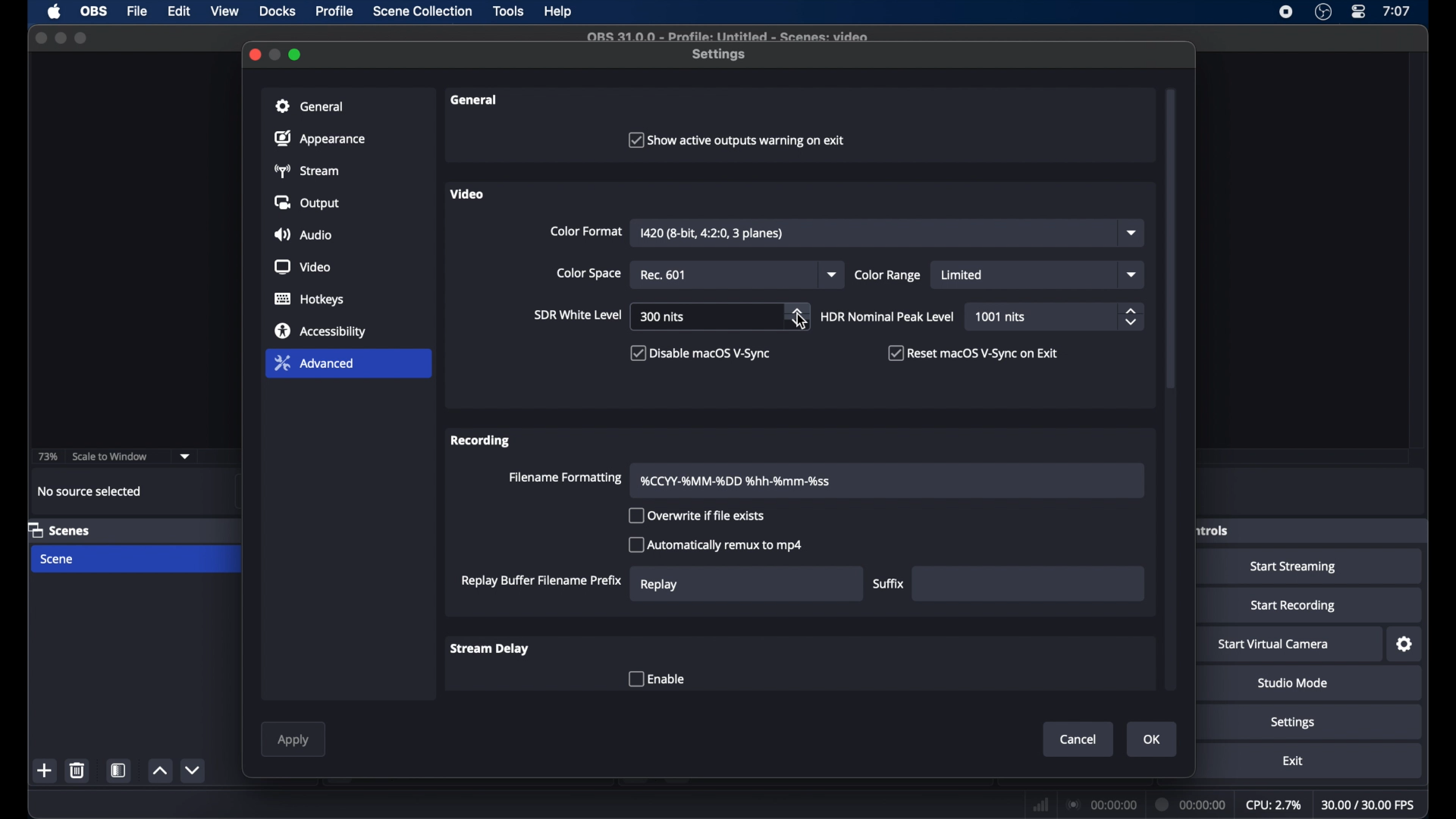 The image size is (1456, 819). What do you see at coordinates (81, 38) in the screenshot?
I see `maximize` at bounding box center [81, 38].